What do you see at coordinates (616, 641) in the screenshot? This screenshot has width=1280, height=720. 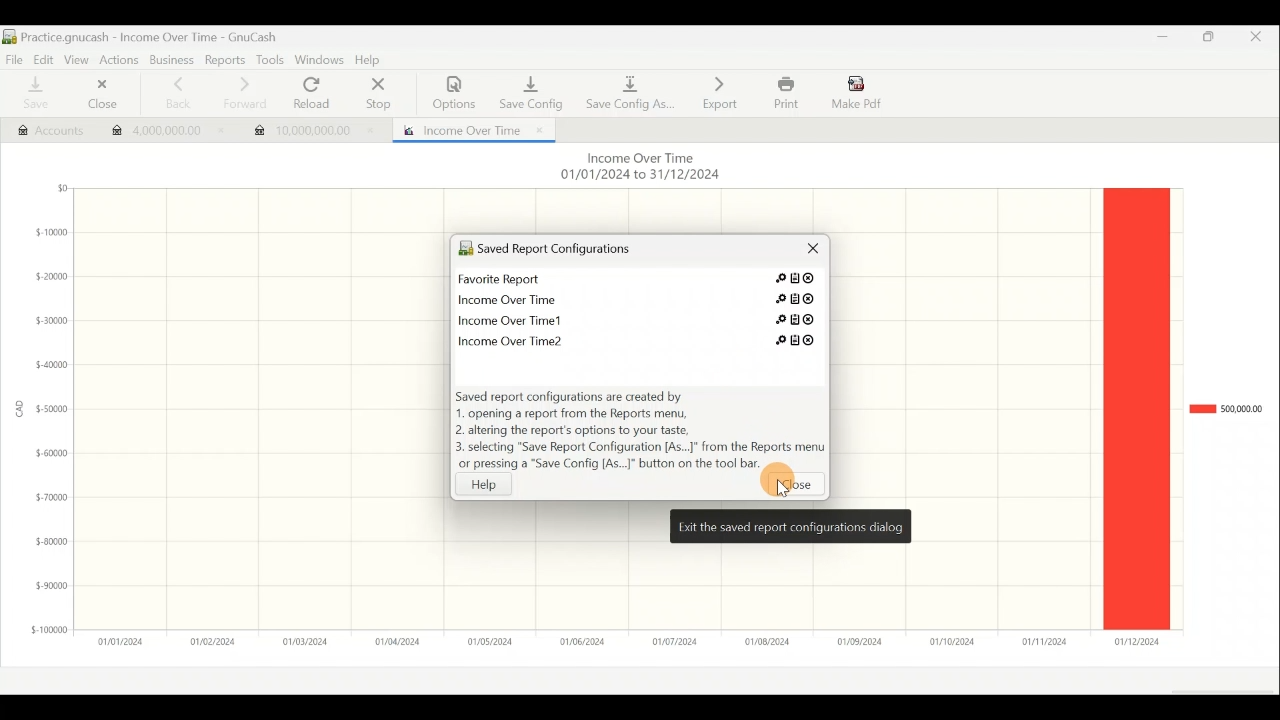 I see `x-axis (date range)` at bounding box center [616, 641].